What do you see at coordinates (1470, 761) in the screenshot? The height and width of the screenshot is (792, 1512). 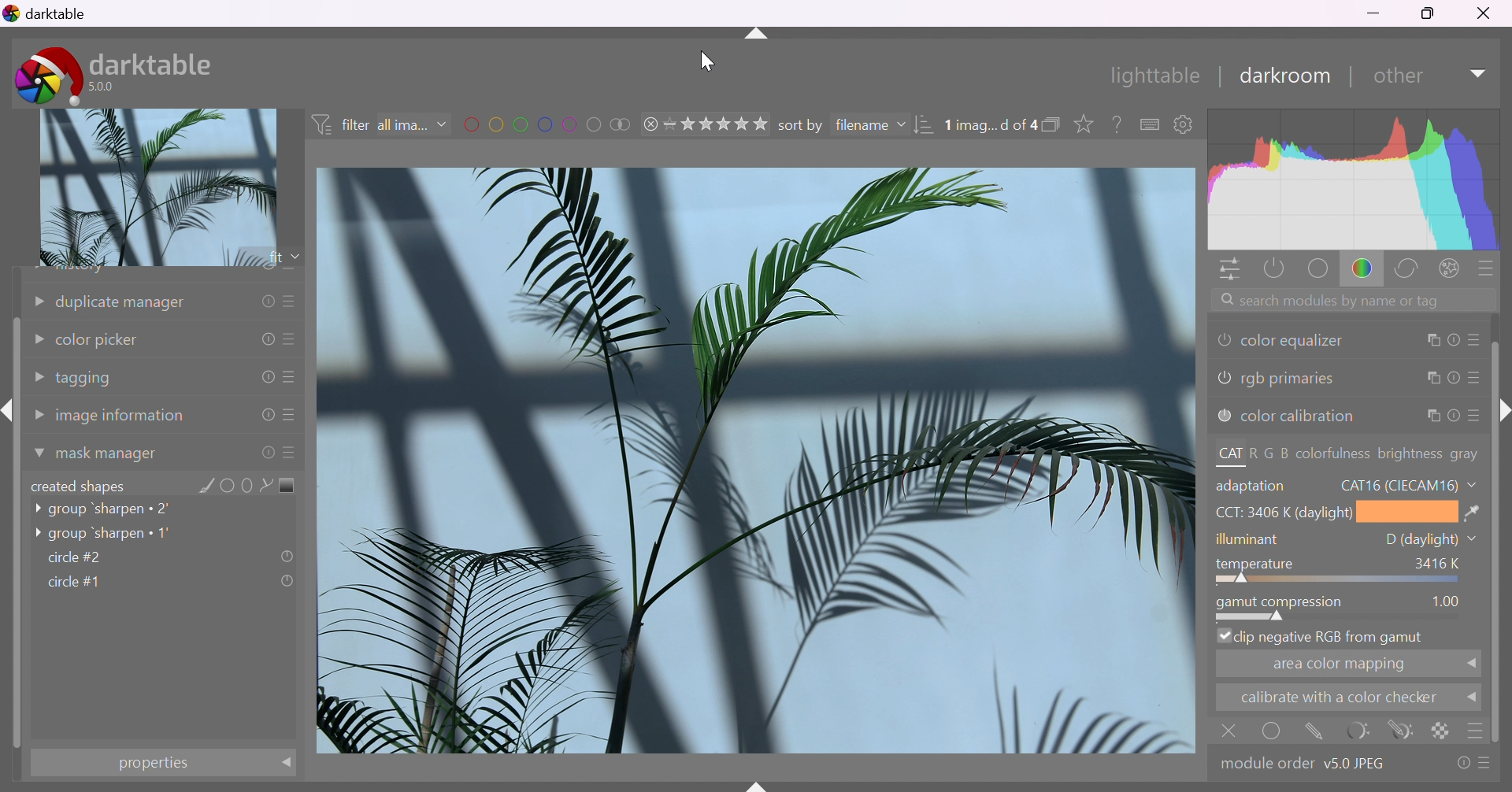 I see `presets and preferences` at bounding box center [1470, 761].